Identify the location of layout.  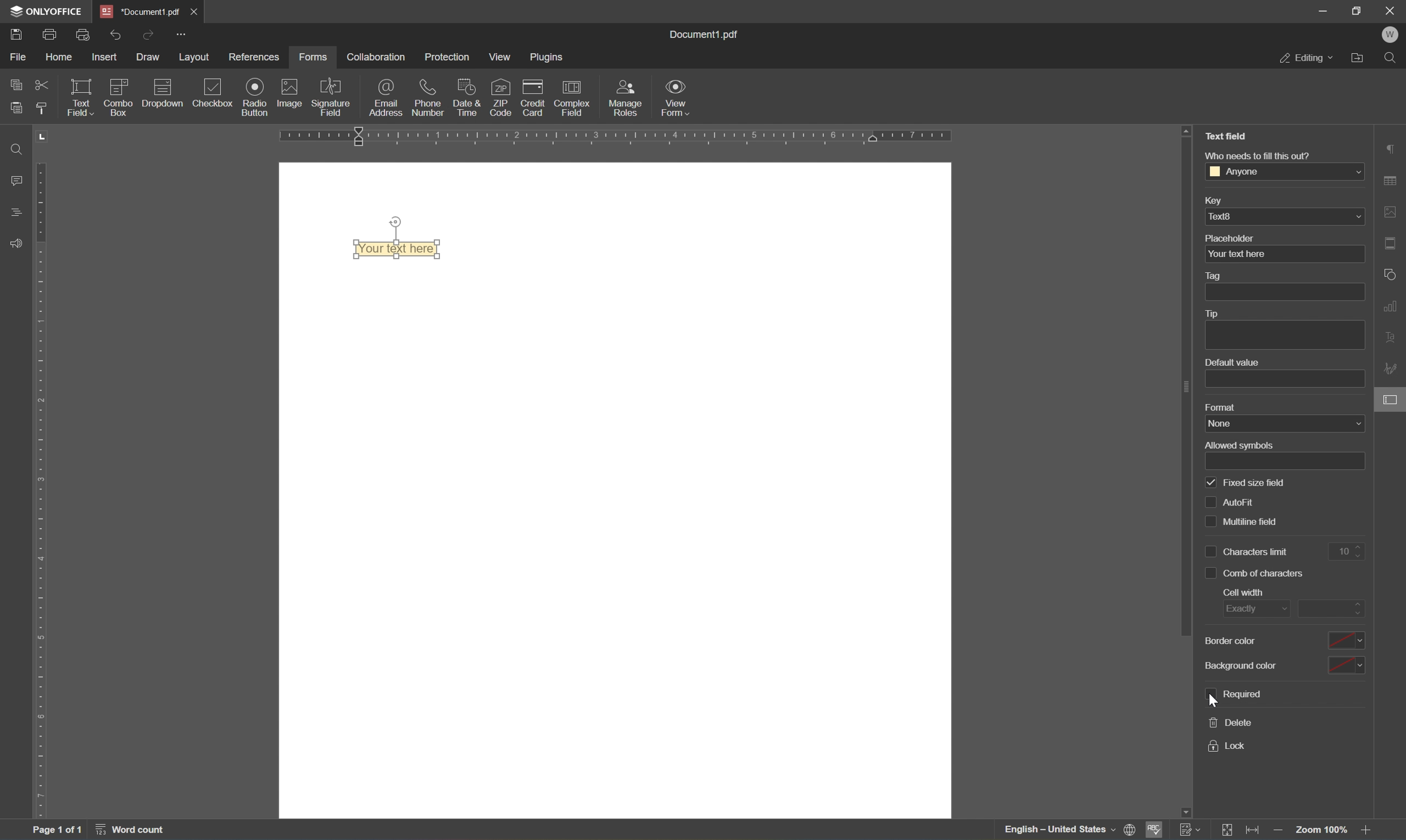
(197, 57).